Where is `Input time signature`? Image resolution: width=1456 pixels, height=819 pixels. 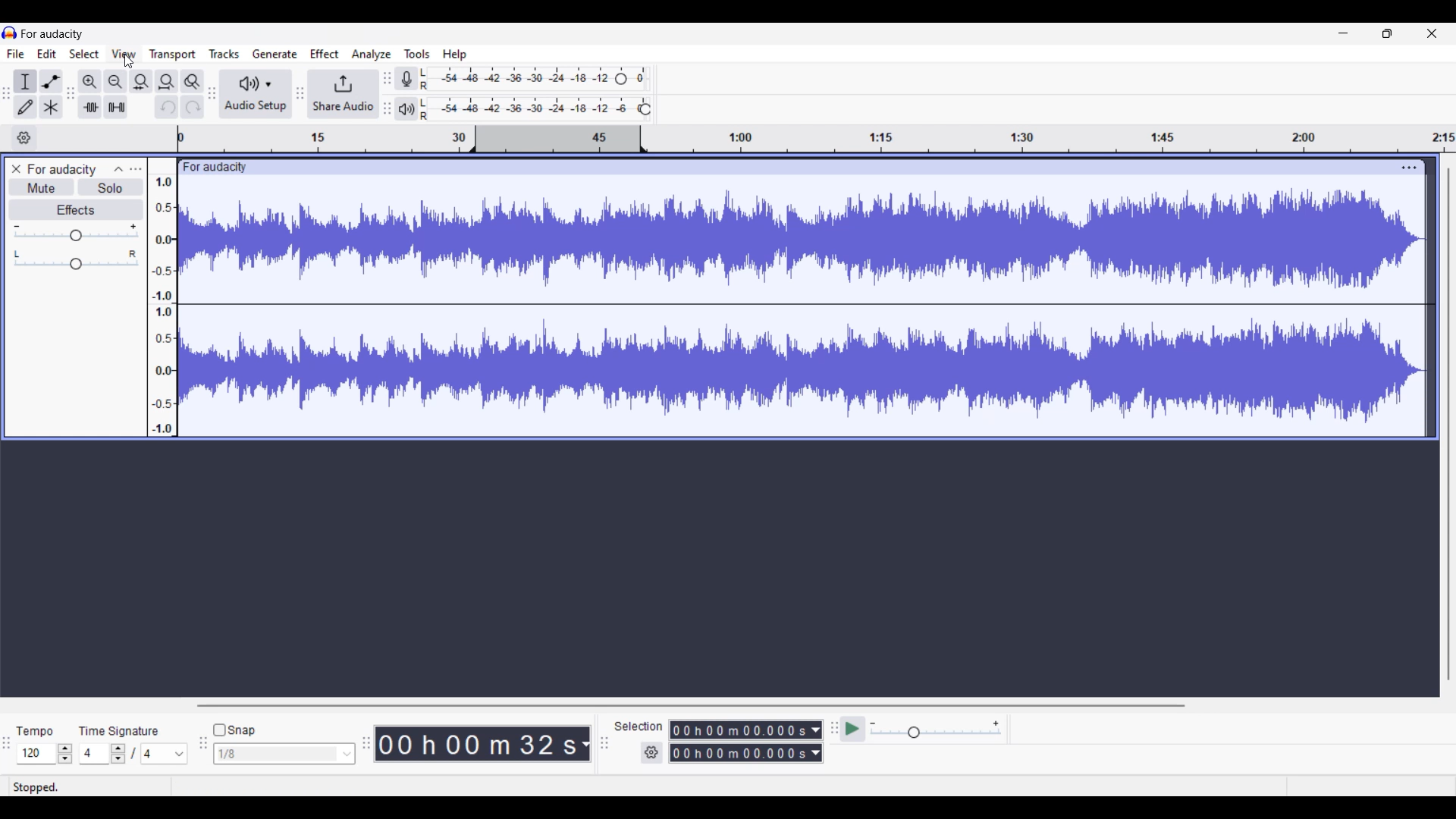 Input time signature is located at coordinates (93, 752).